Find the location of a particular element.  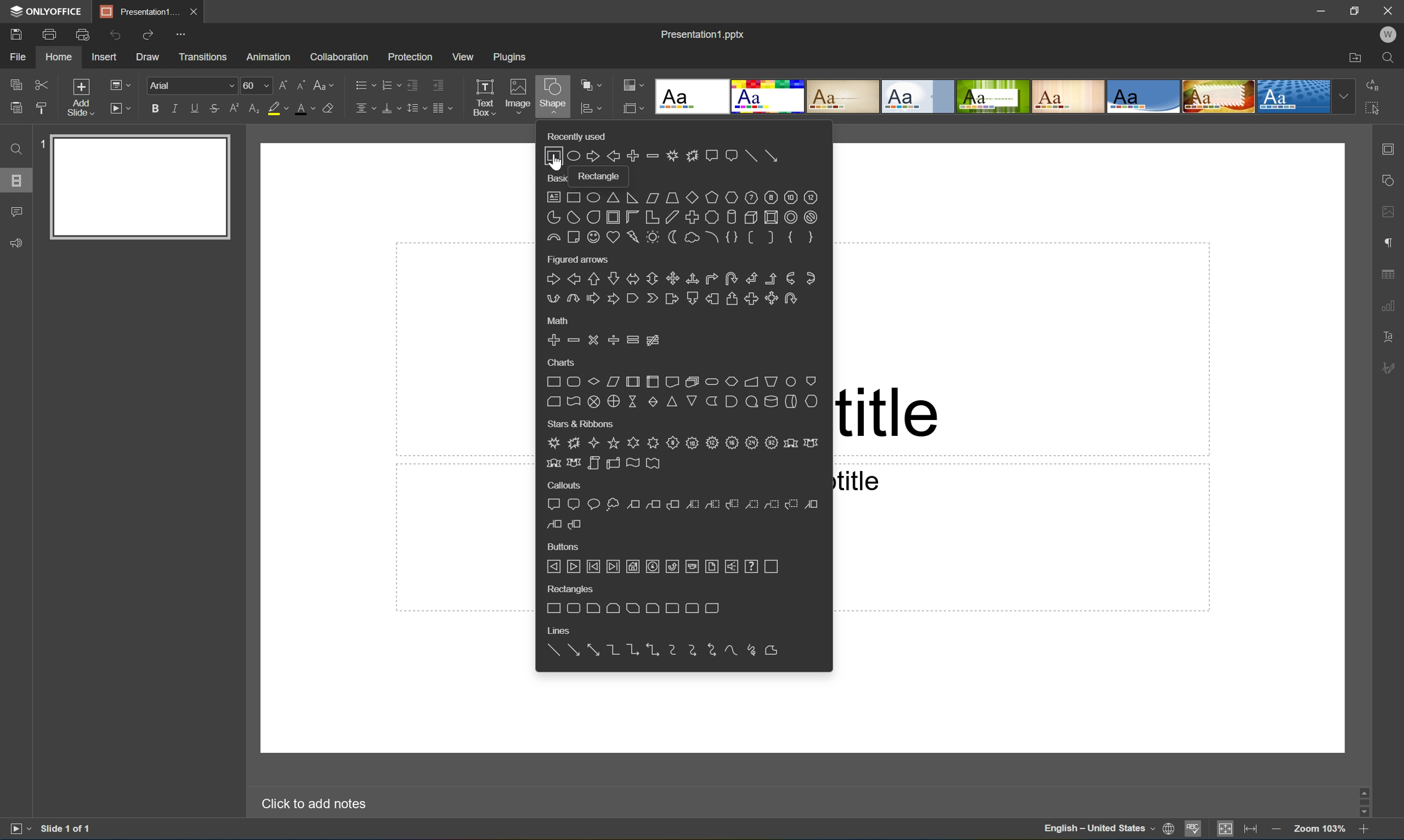

Textart settings is located at coordinates (1389, 338).